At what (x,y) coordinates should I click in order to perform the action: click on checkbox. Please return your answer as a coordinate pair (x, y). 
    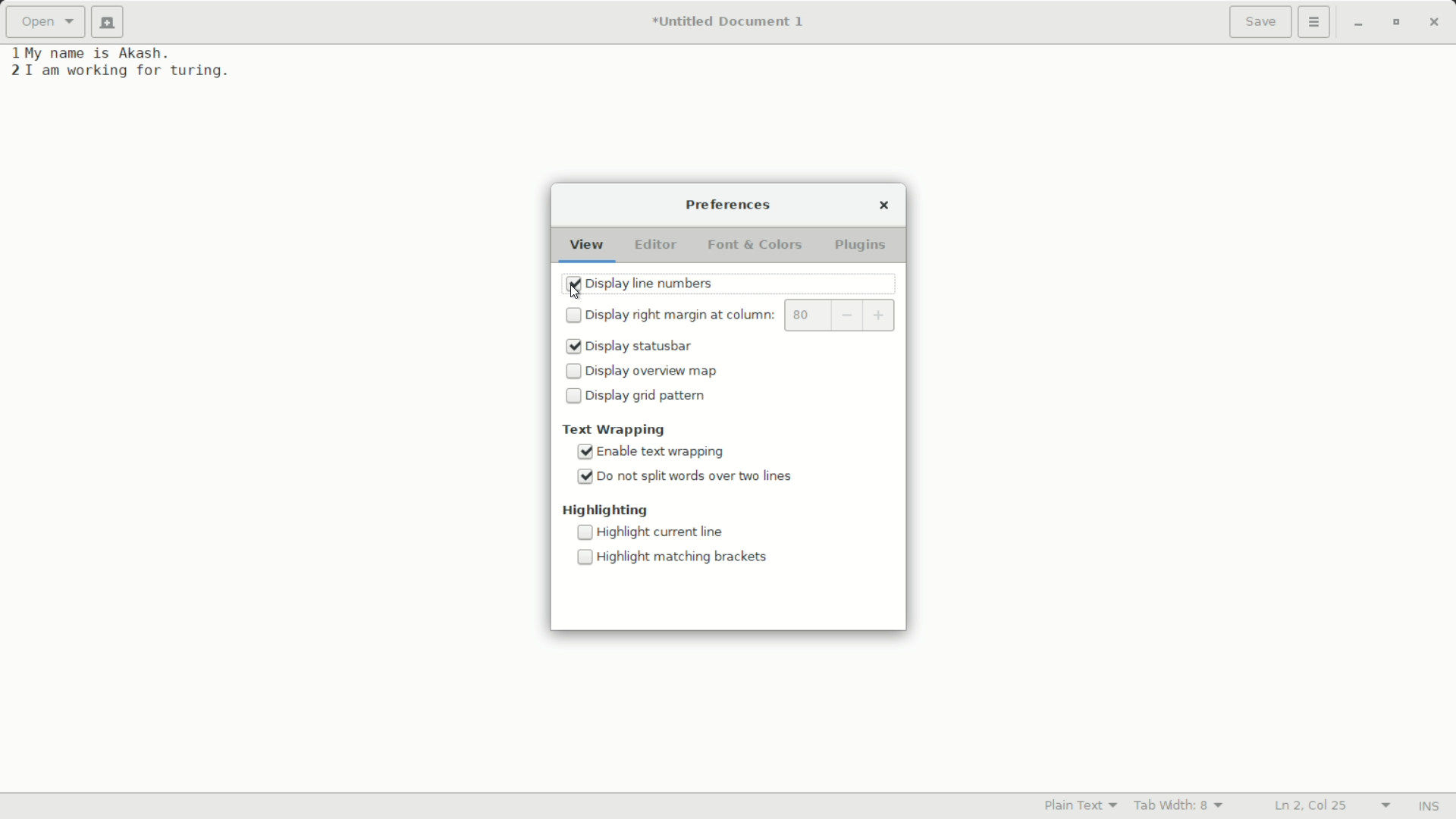
    Looking at the image, I should click on (585, 557).